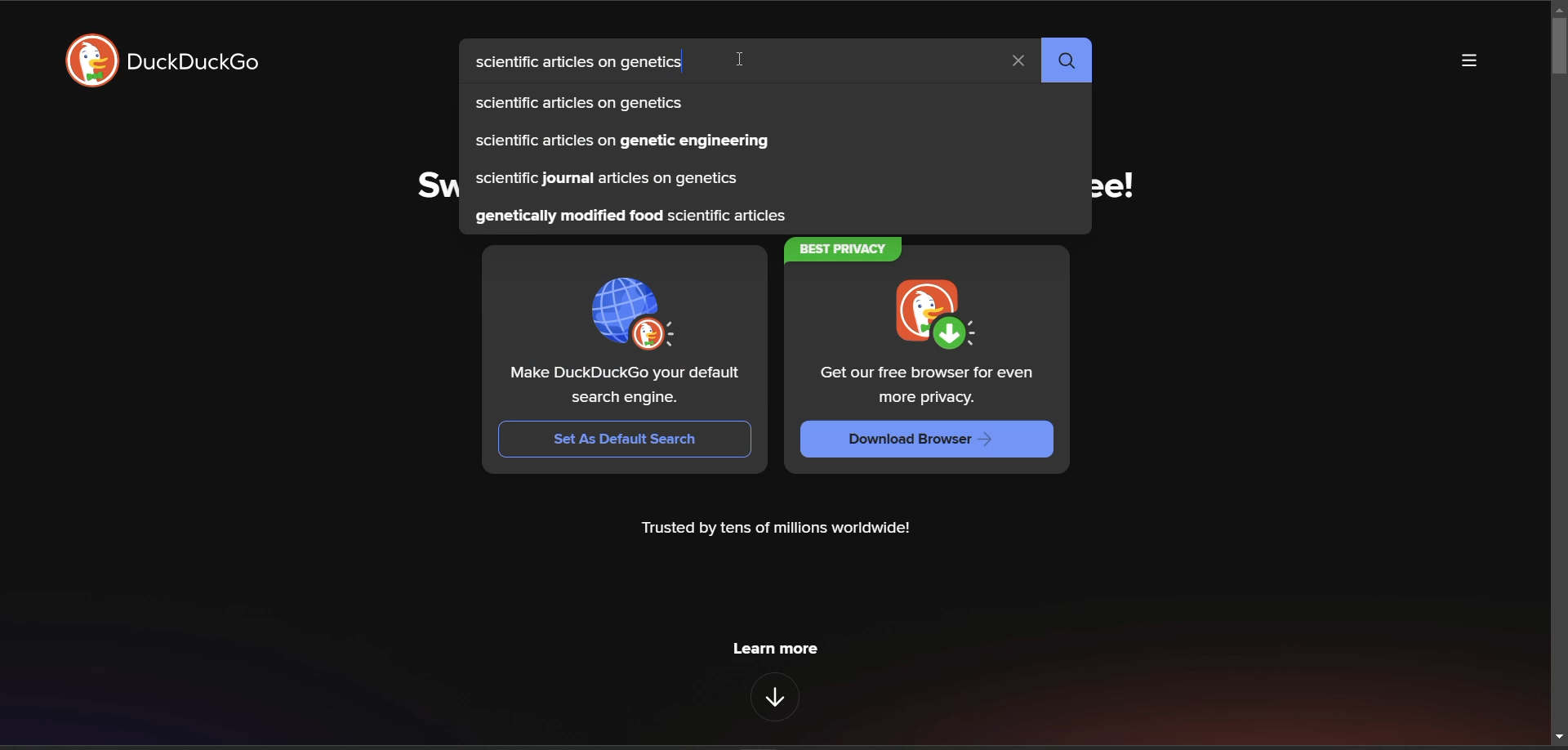  I want to click on logo, so click(87, 61).